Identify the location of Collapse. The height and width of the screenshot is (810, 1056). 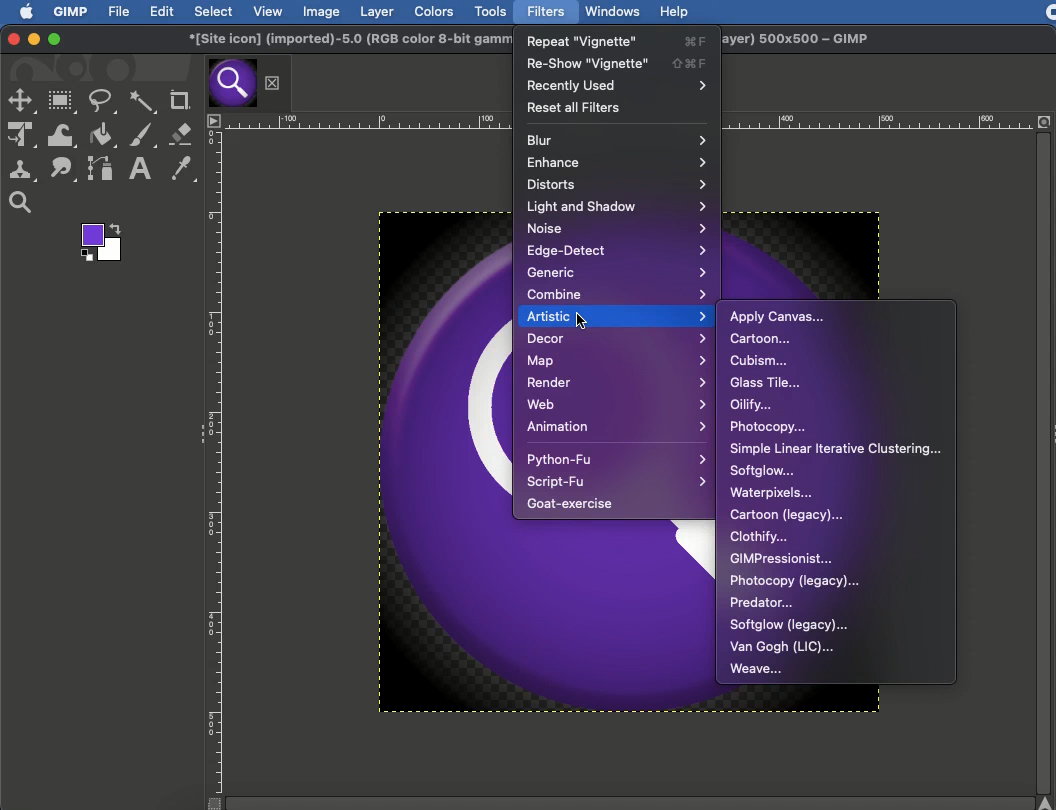
(199, 430).